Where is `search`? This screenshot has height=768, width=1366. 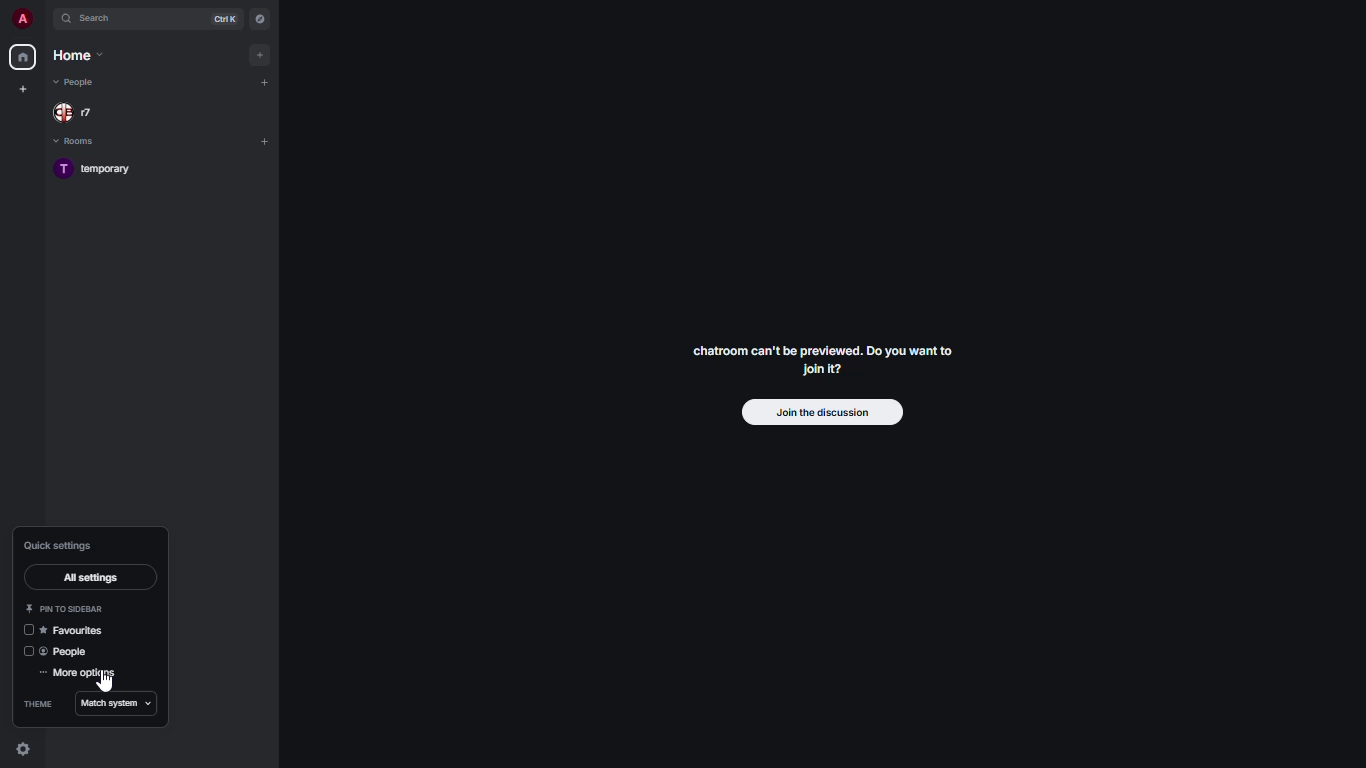 search is located at coordinates (100, 20).